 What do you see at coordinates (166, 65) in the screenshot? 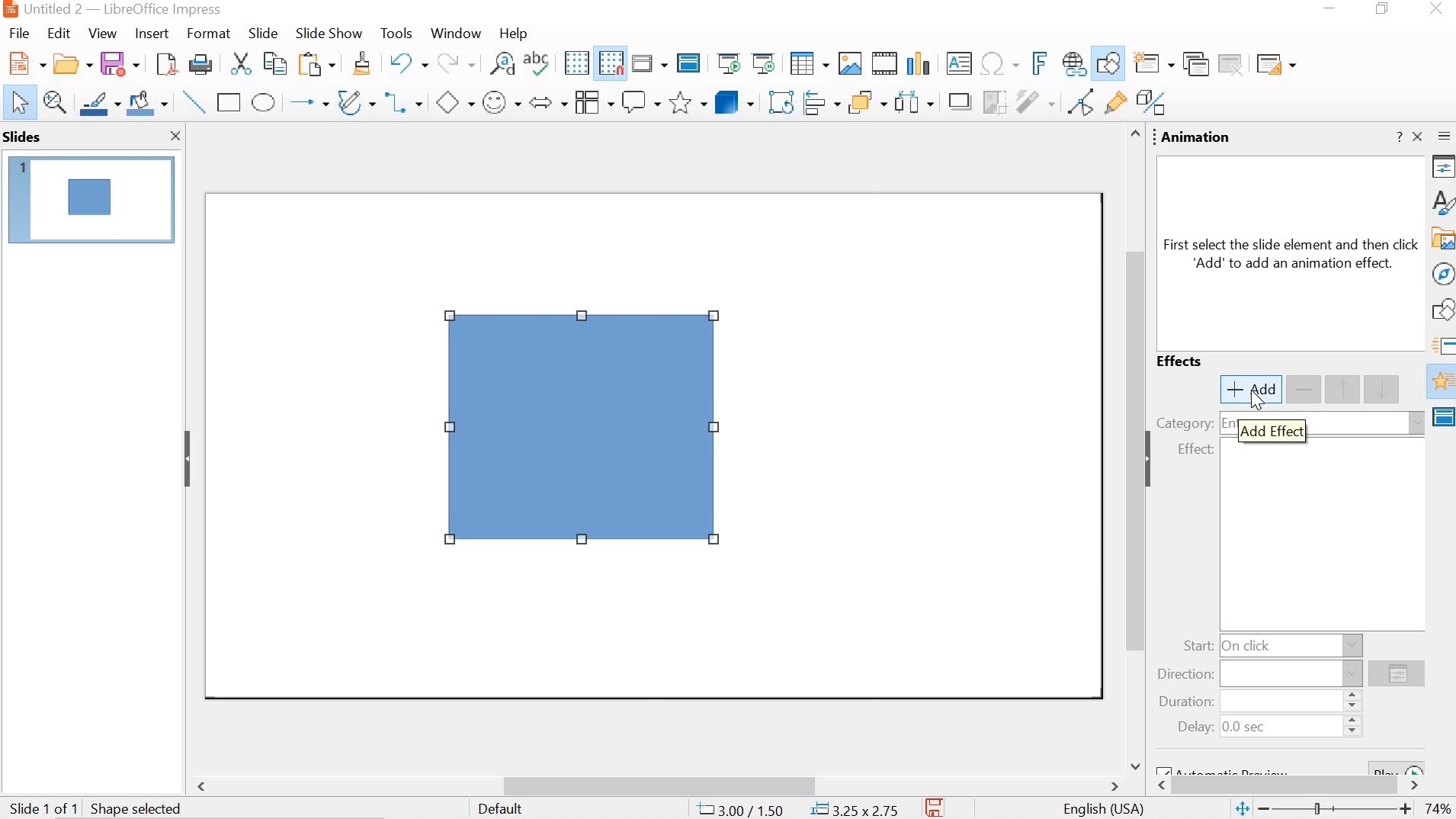
I see `save as pdf` at bounding box center [166, 65].